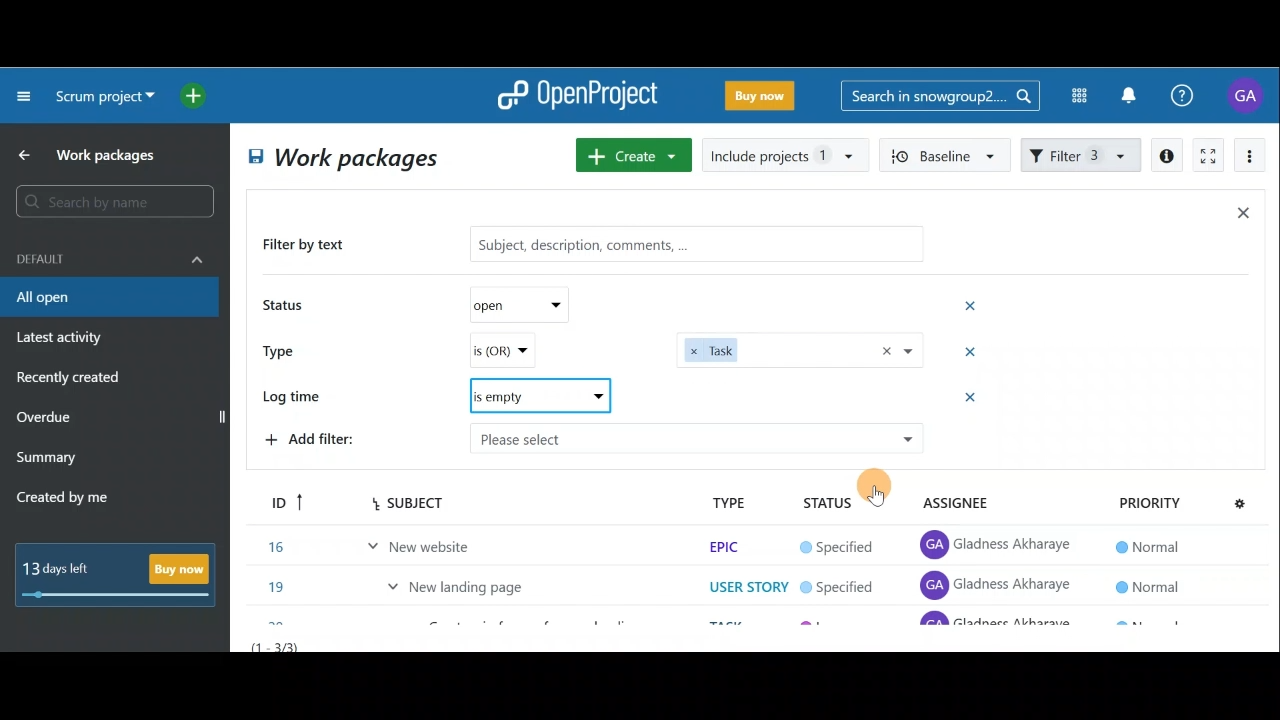 The height and width of the screenshot is (720, 1280). Describe the element at coordinates (1168, 156) in the screenshot. I see `Open details view` at that location.